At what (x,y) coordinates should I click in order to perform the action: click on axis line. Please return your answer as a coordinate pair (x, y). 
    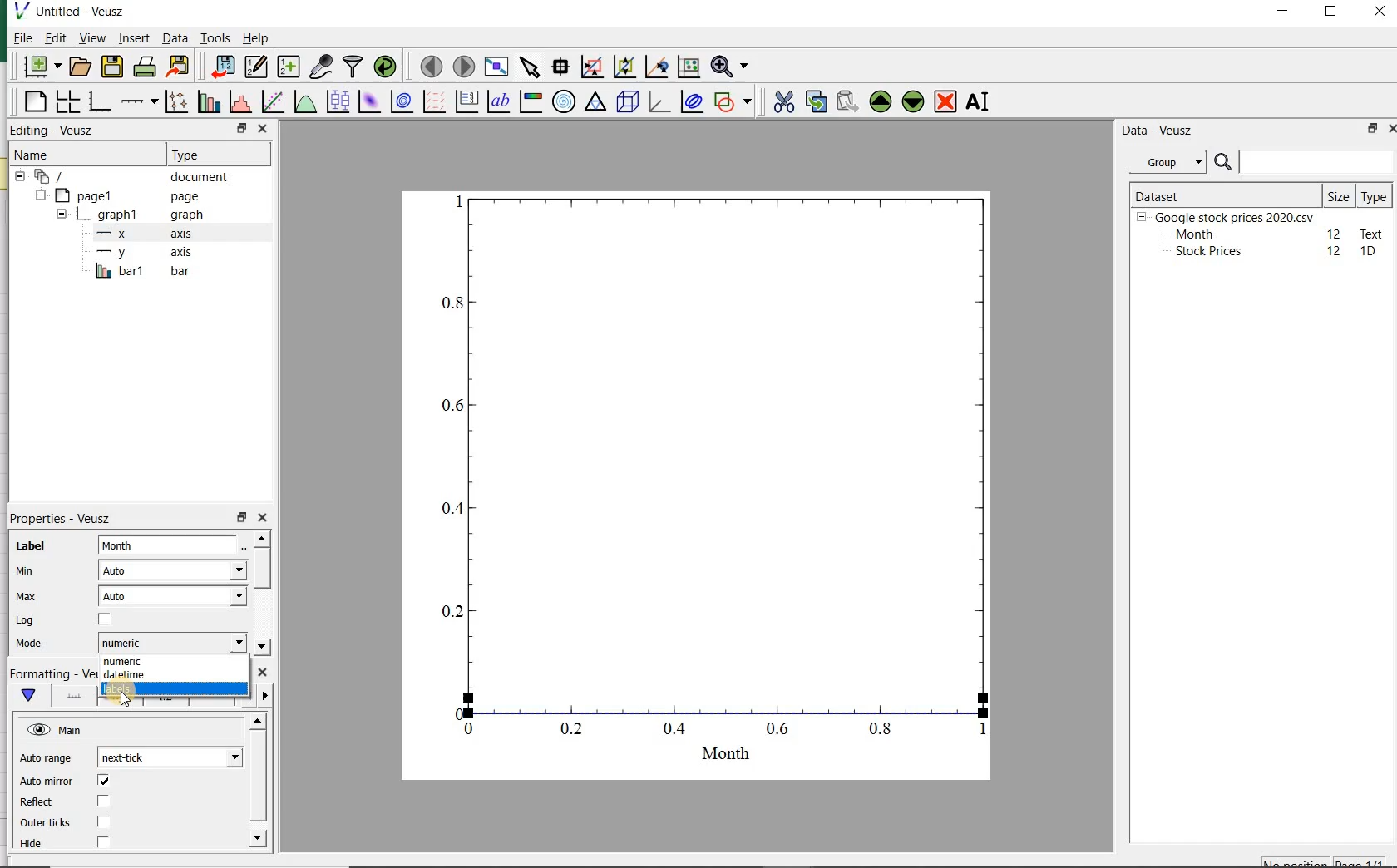
    Looking at the image, I should click on (70, 695).